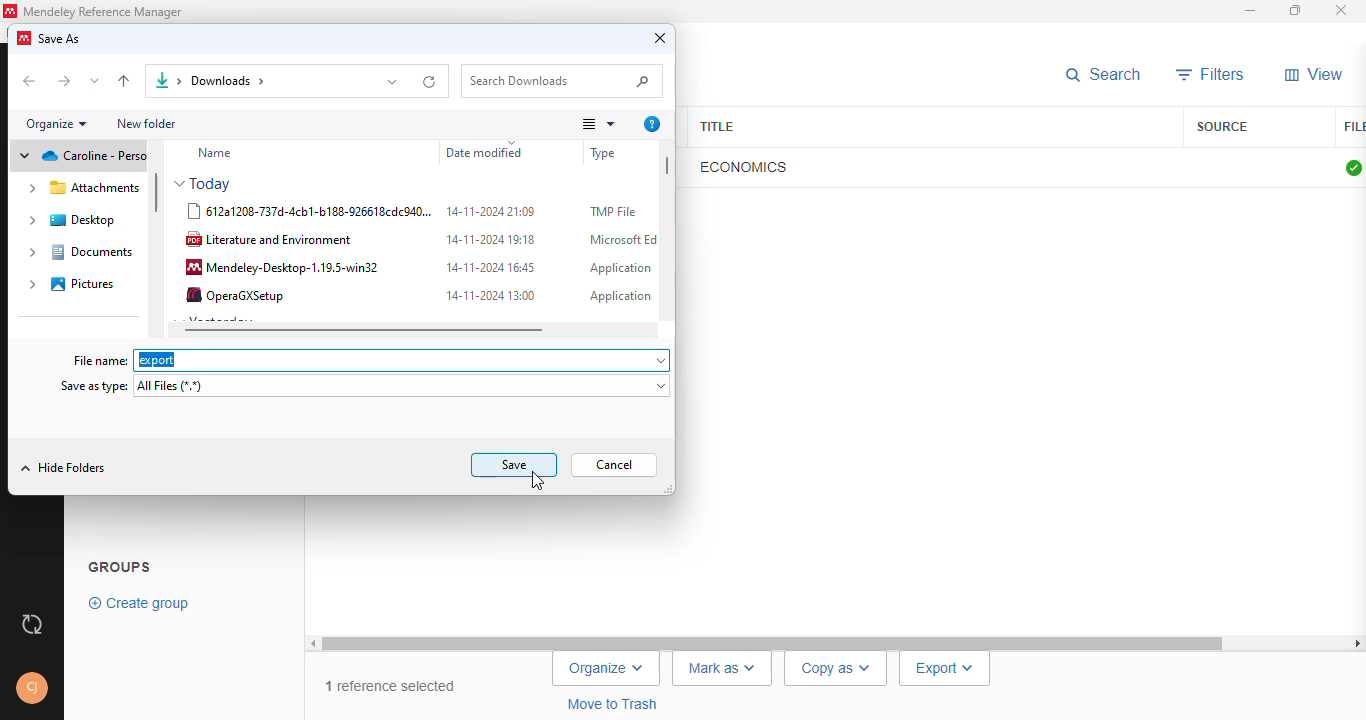 This screenshot has height=720, width=1366. Describe the element at coordinates (60, 40) in the screenshot. I see `save as` at that location.